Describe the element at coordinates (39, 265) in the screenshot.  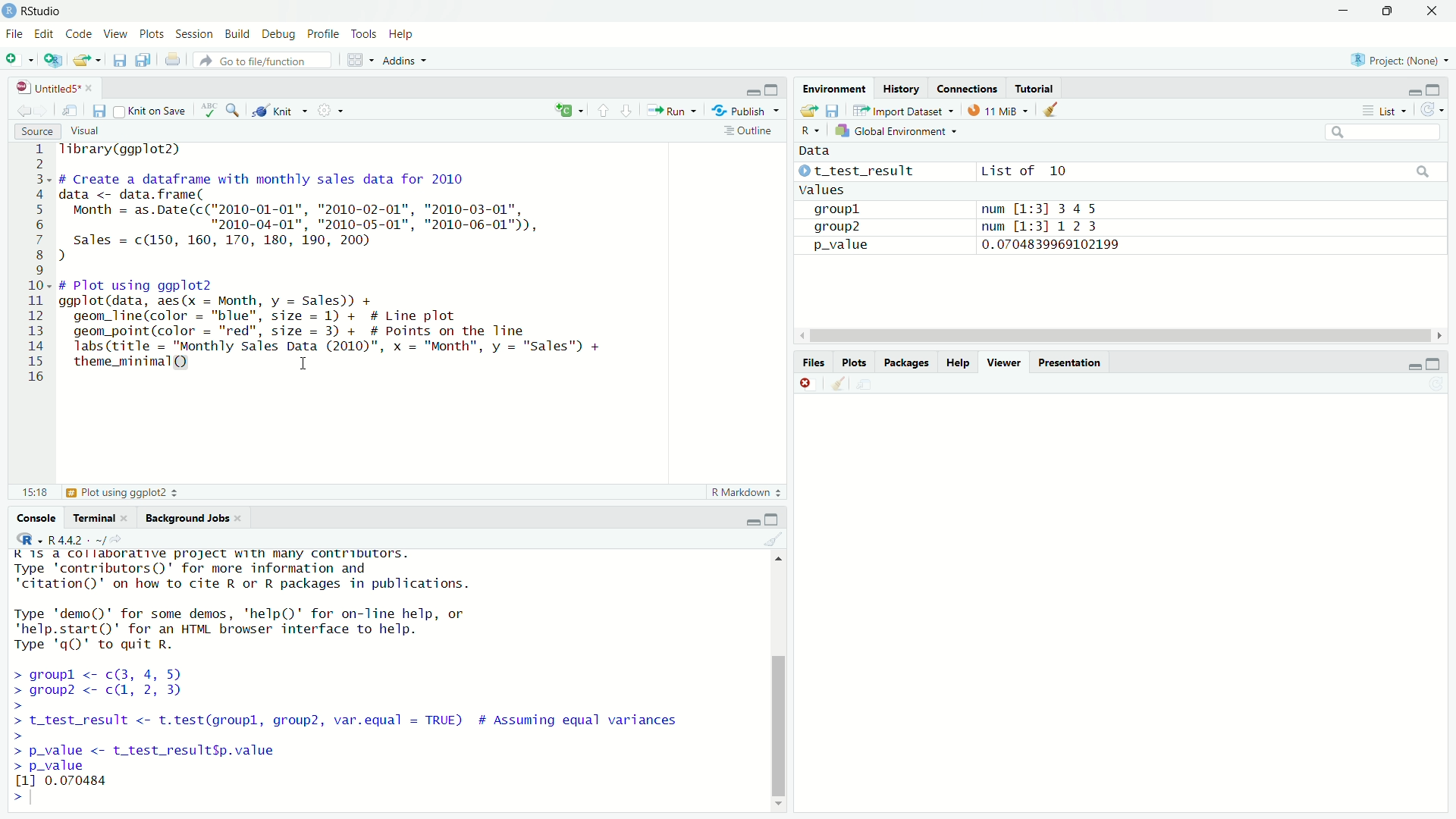
I see `code line number` at that location.